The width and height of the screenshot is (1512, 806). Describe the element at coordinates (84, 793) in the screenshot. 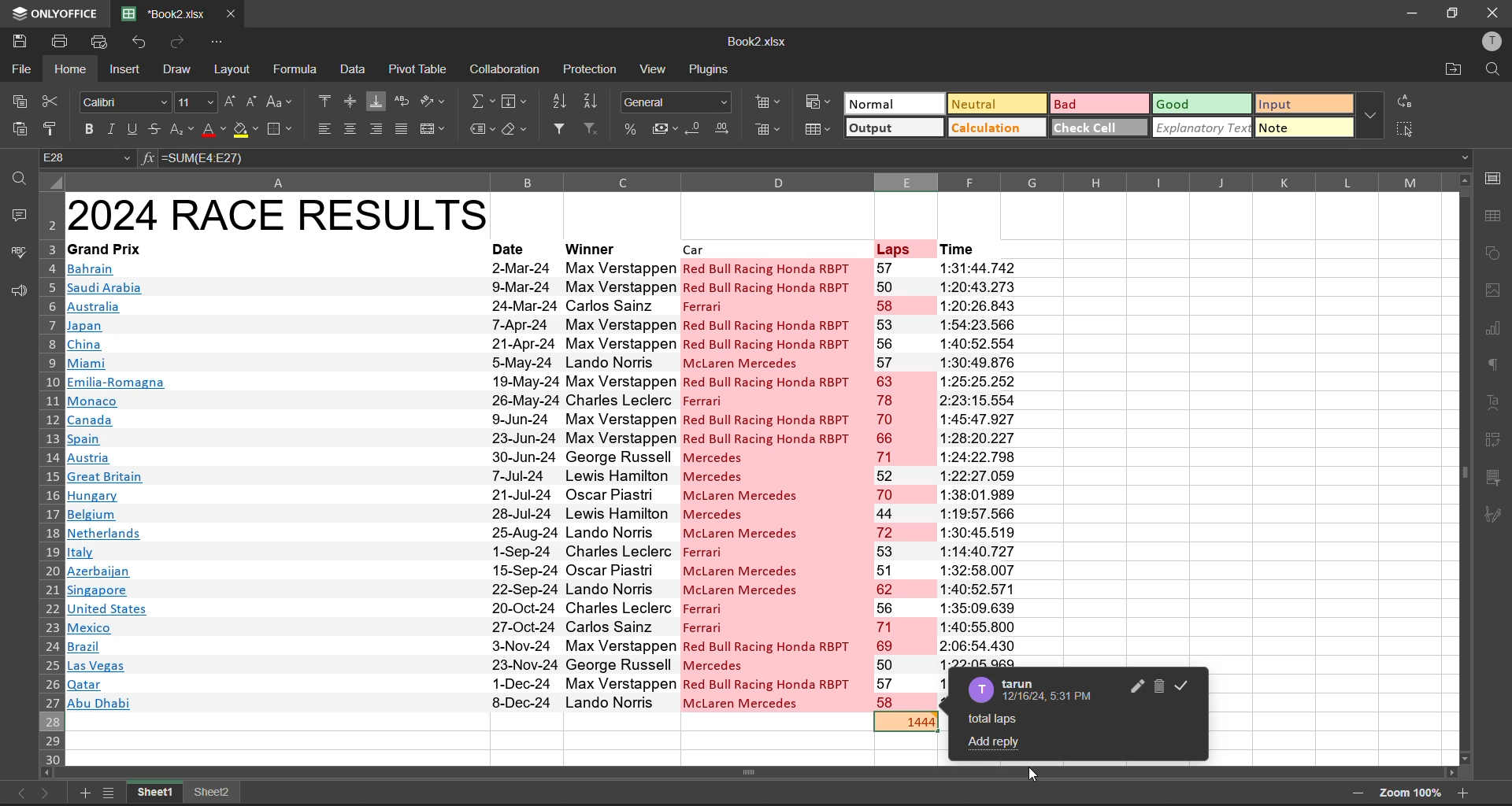

I see `add new sheet` at that location.